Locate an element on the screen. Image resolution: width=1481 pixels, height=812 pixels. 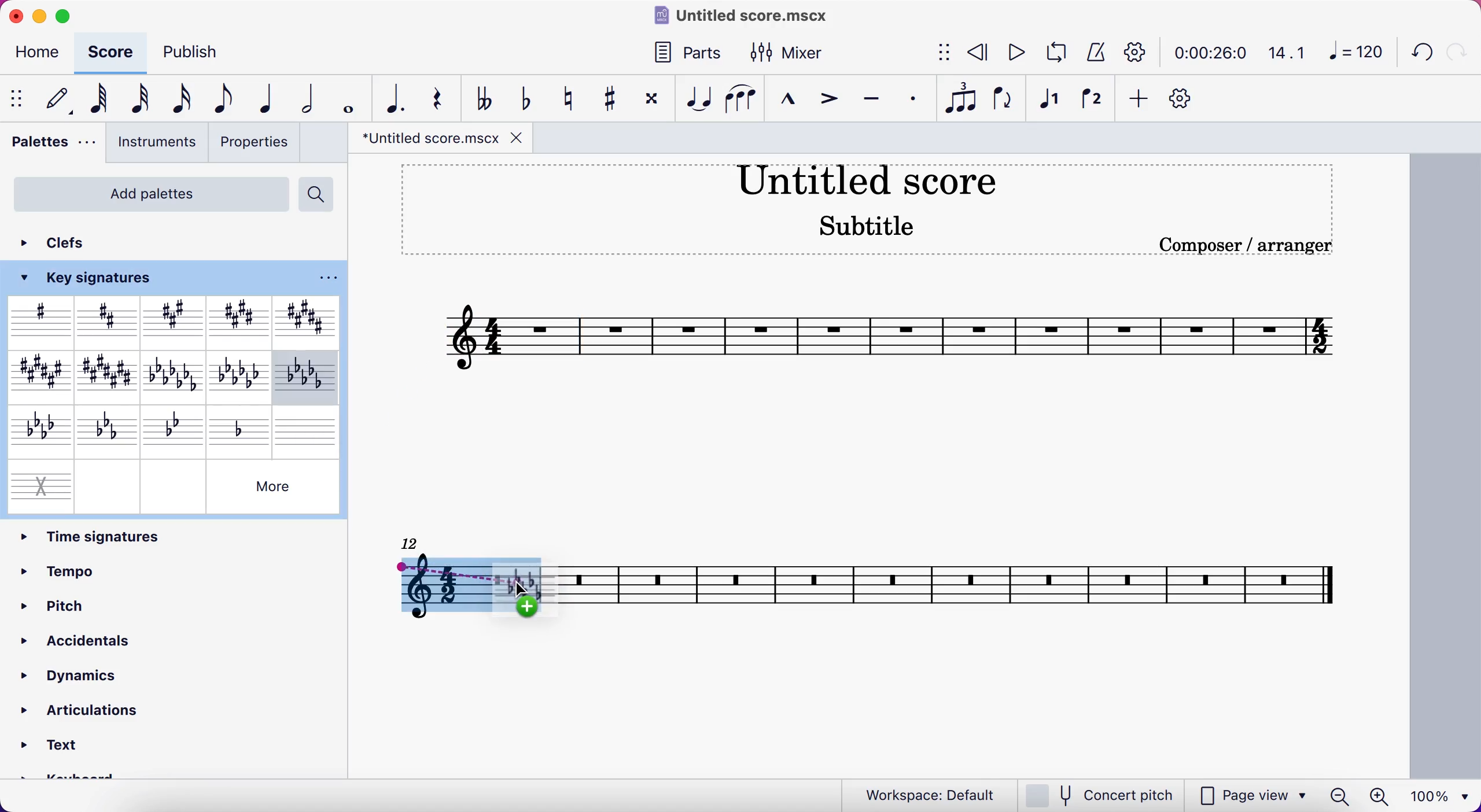
flip direction is located at coordinates (1001, 102).